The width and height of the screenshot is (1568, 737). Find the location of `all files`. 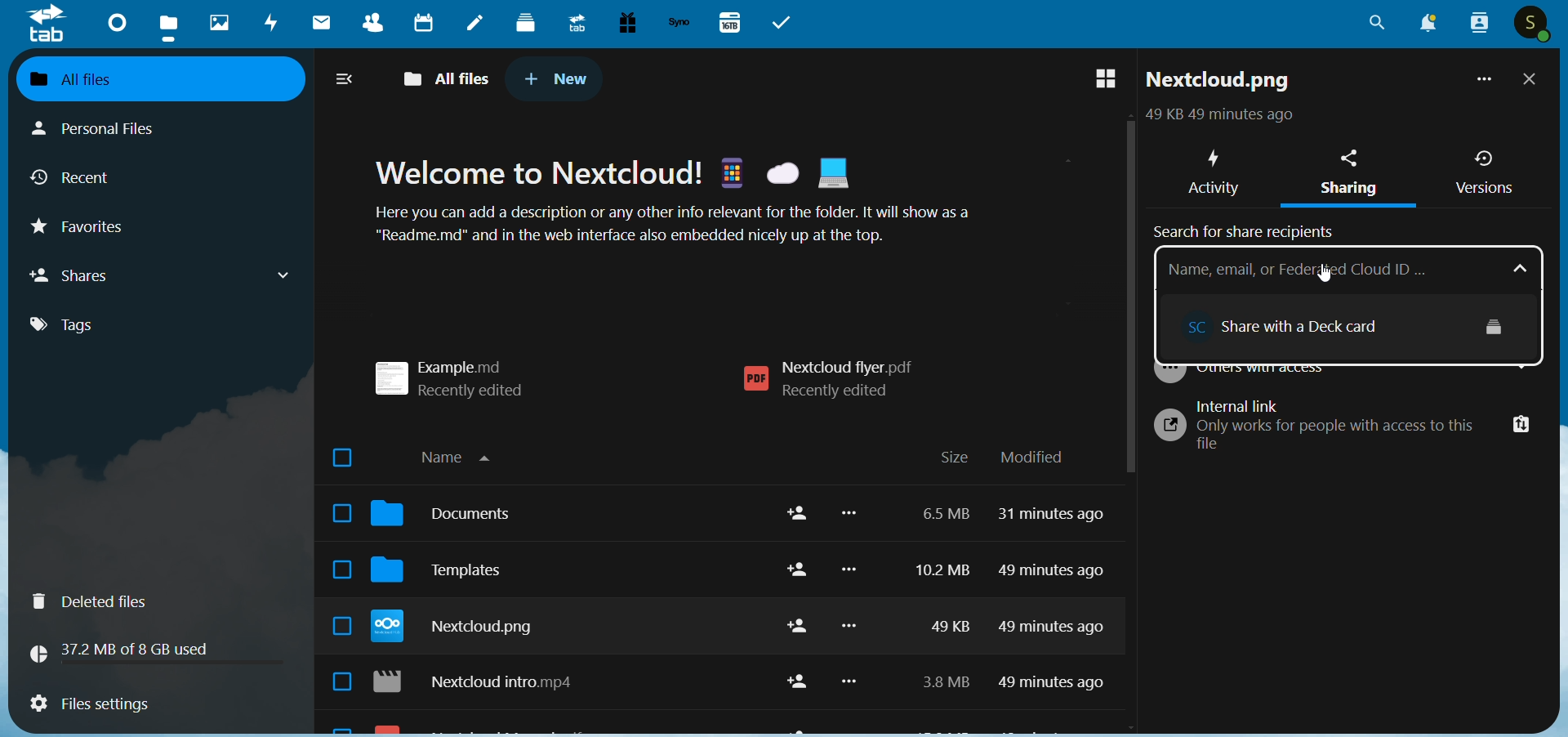

all files is located at coordinates (146, 78).